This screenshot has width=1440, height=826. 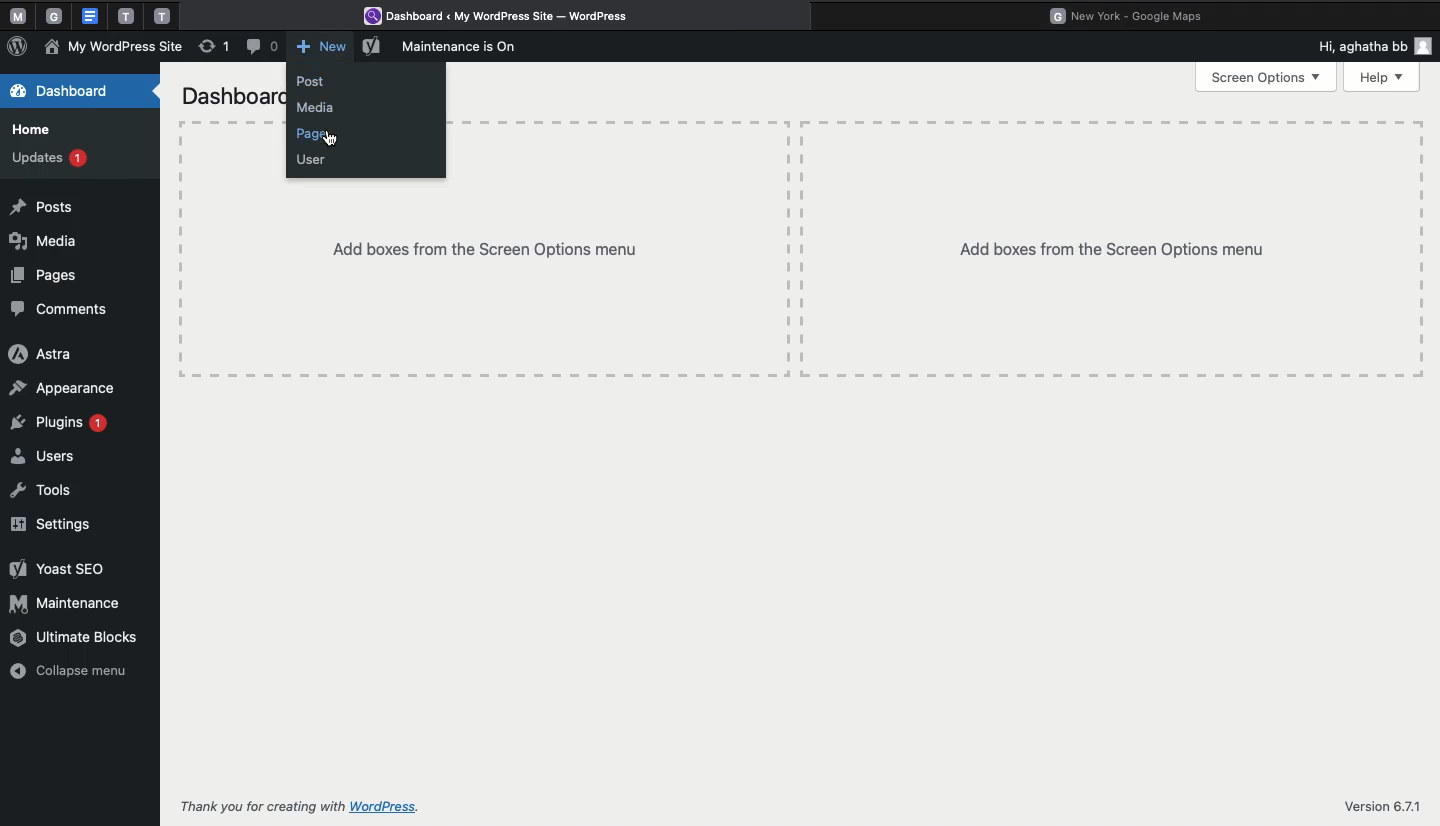 What do you see at coordinates (215, 49) in the screenshot?
I see `Revision` at bounding box center [215, 49].